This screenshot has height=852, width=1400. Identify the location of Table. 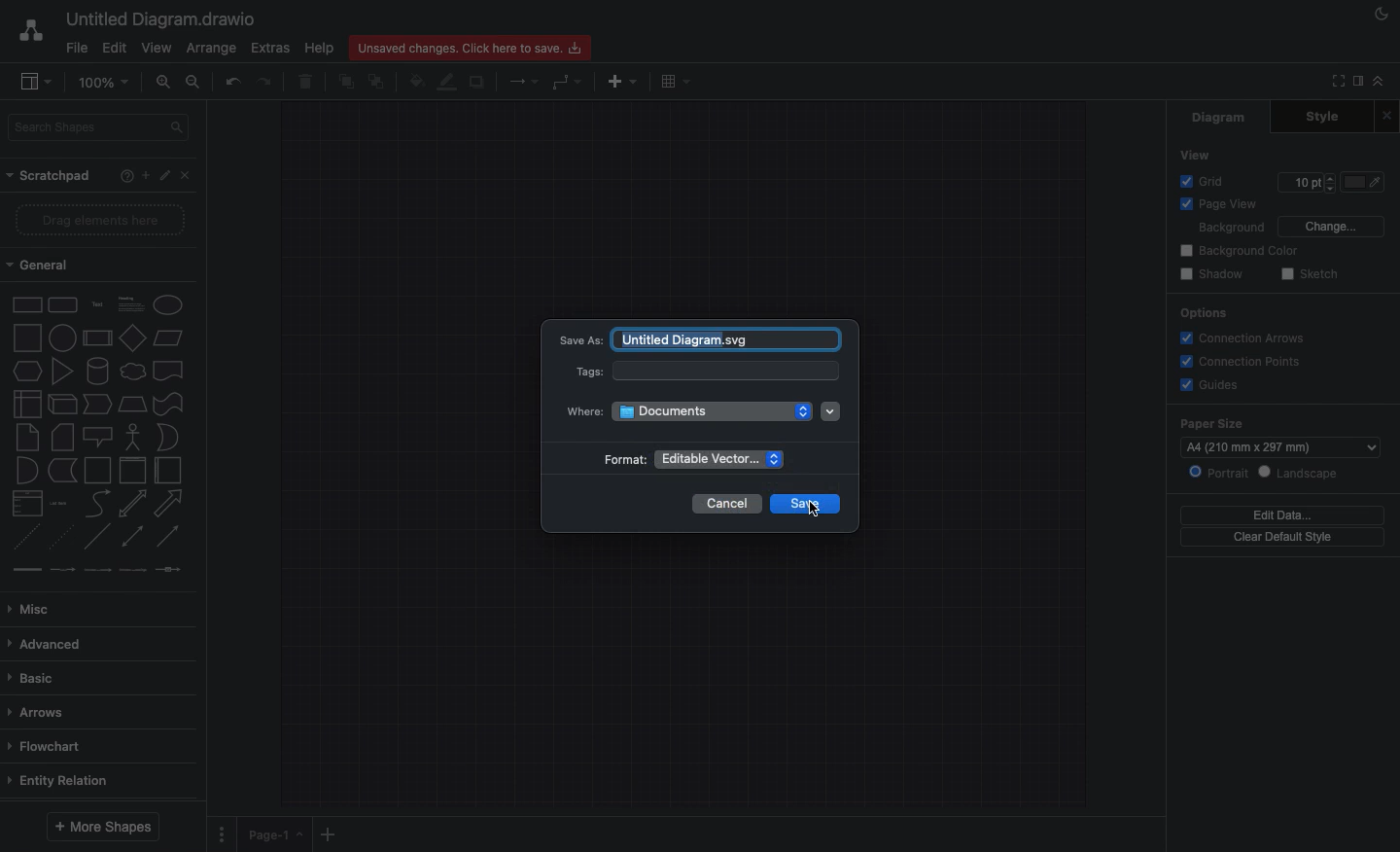
(676, 81).